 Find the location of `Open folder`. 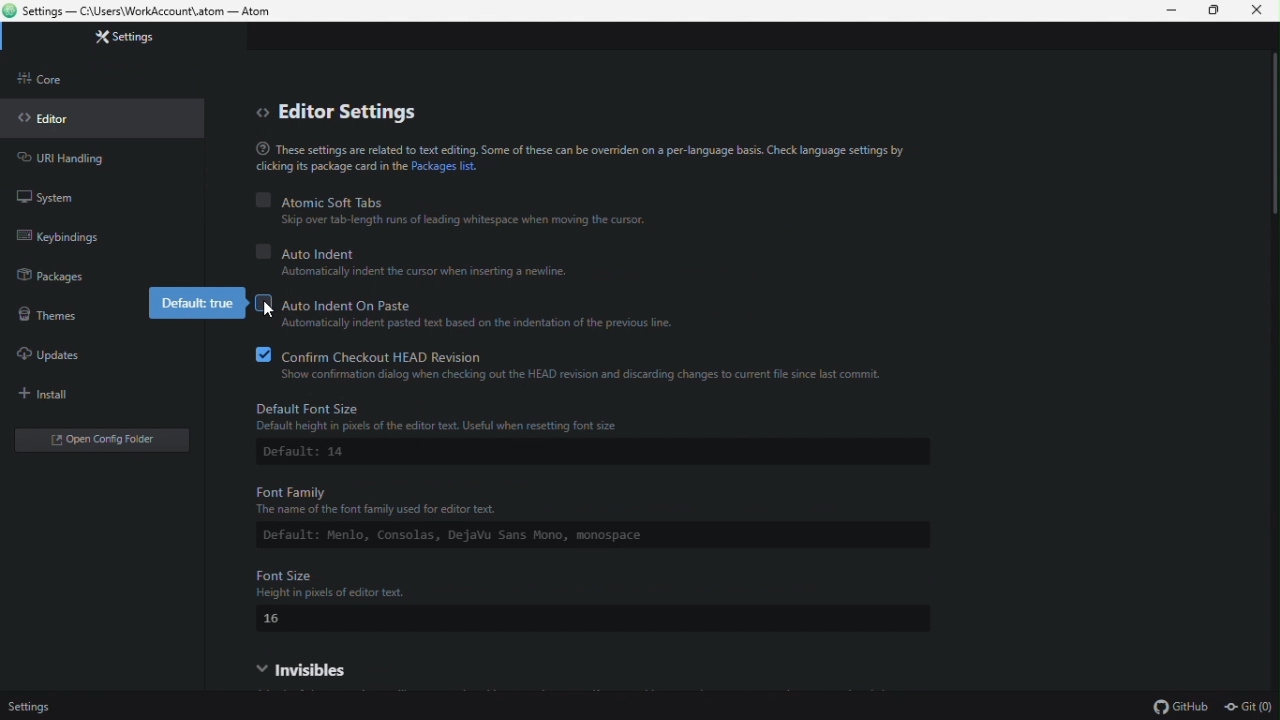

Open folder is located at coordinates (107, 443).